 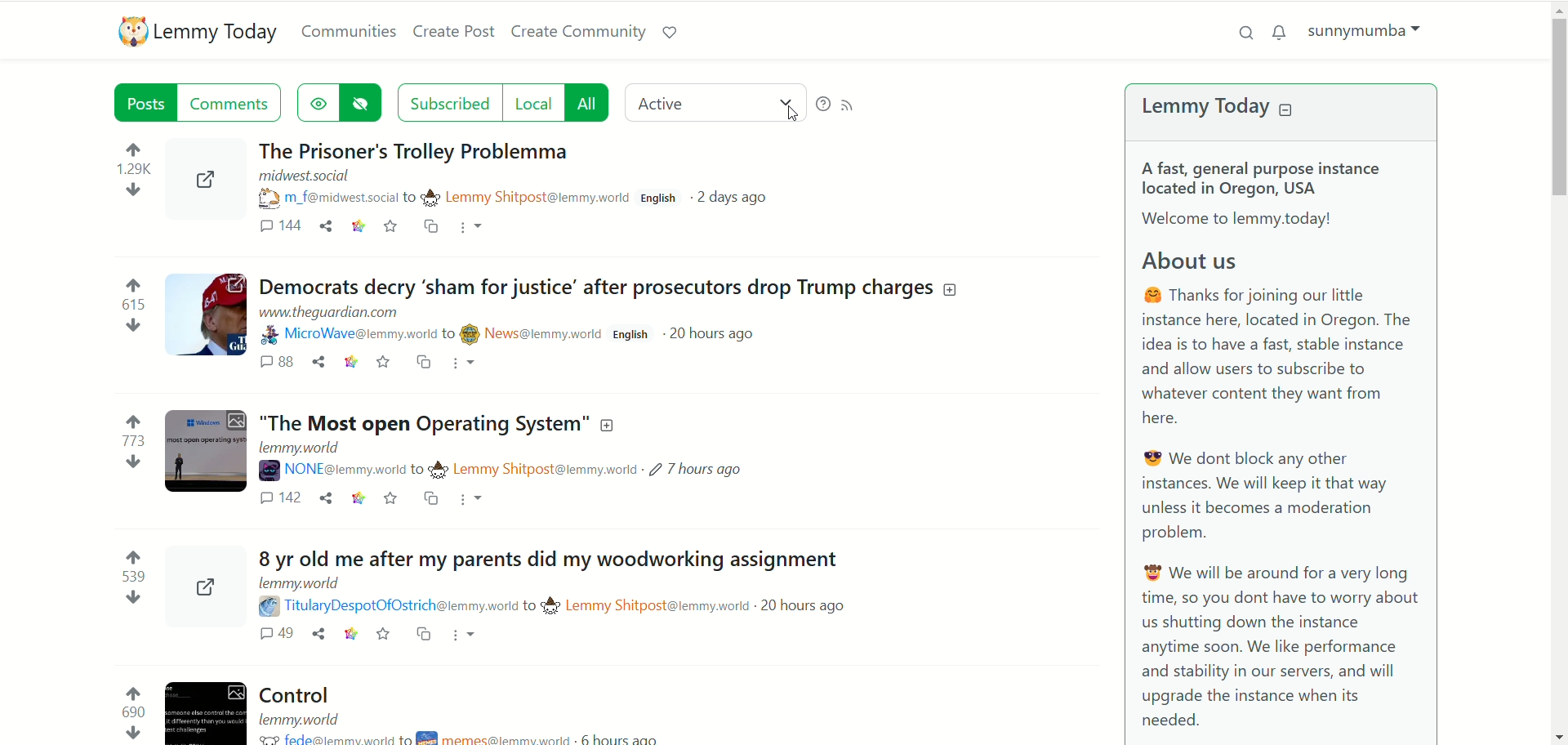 I want to click on communities, so click(x=350, y=29).